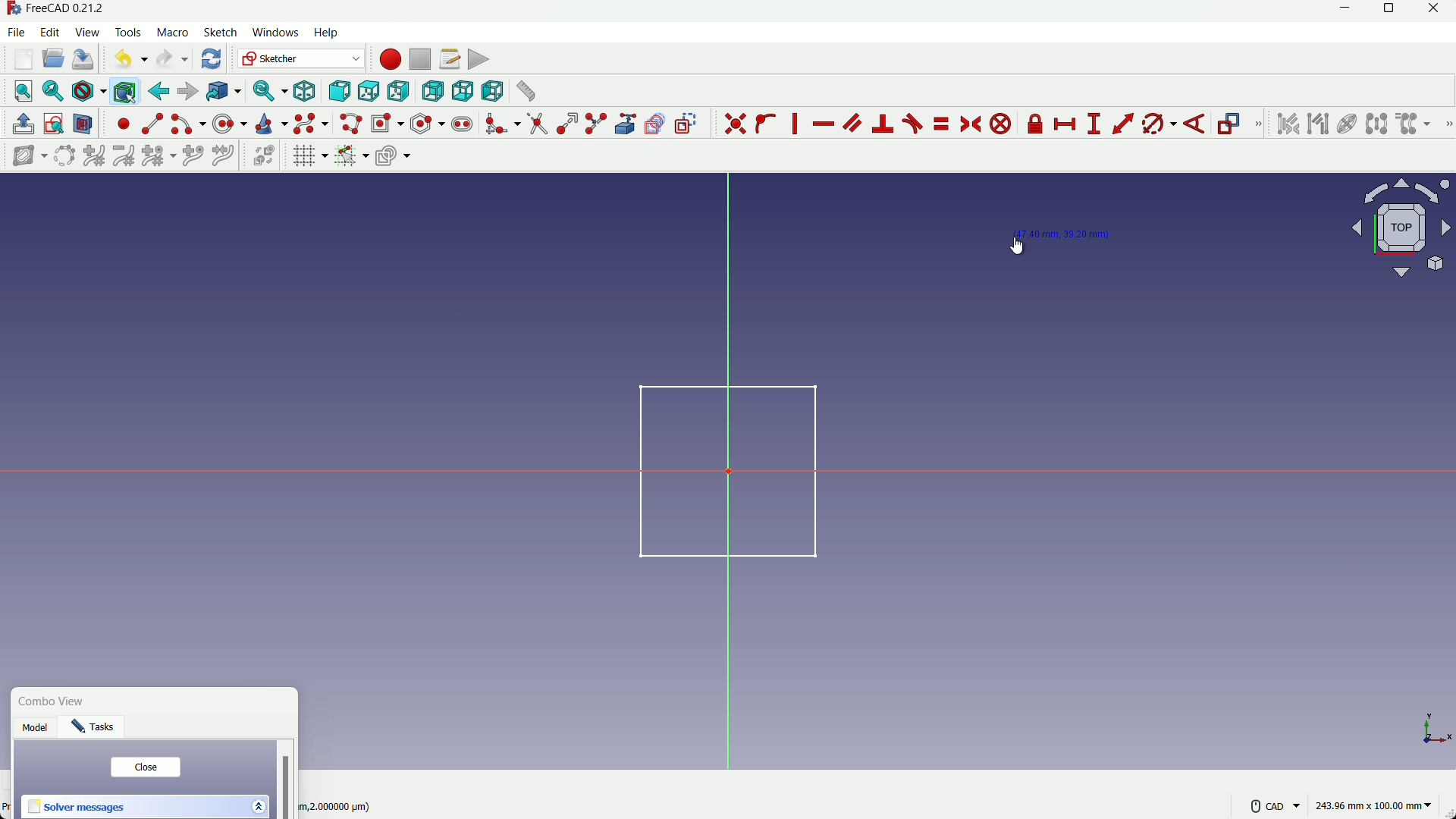 This screenshot has width=1456, height=819. Describe the element at coordinates (96, 156) in the screenshot. I see `increase B spiline degree` at that location.